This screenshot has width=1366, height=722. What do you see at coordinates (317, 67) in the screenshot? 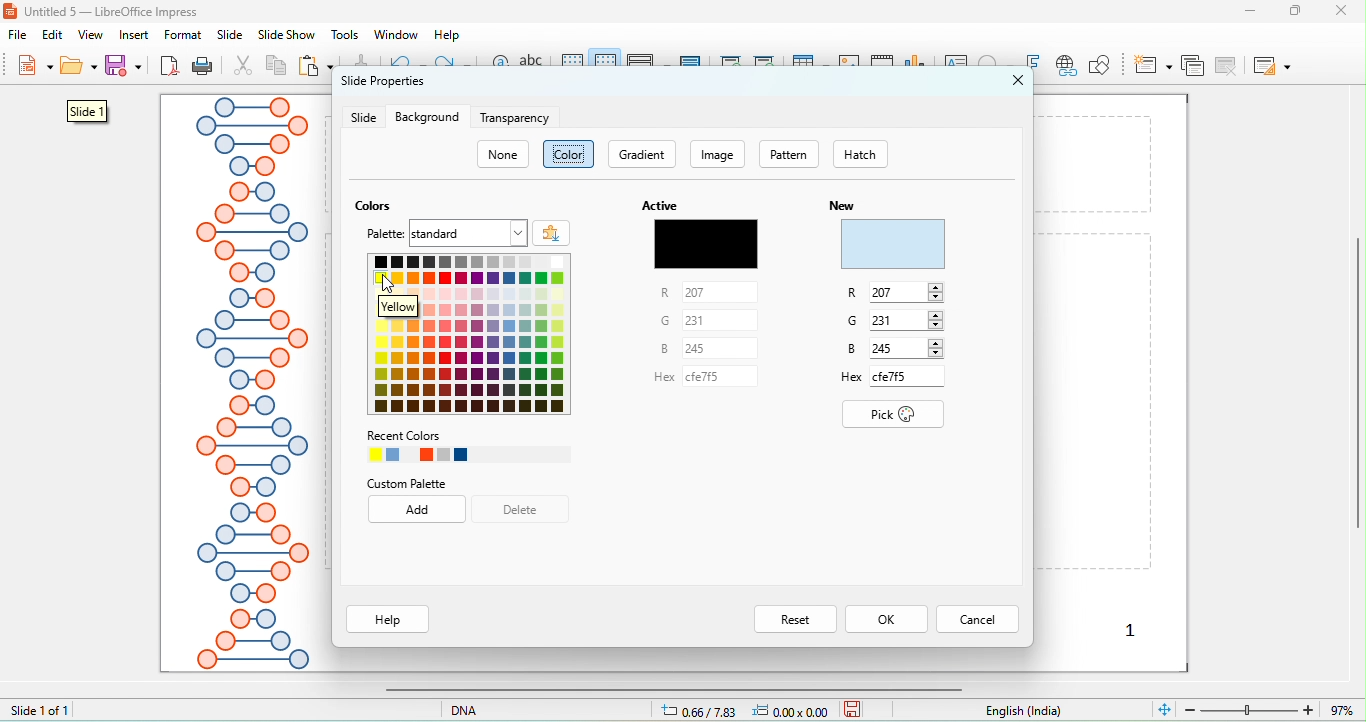
I see `paste` at bounding box center [317, 67].